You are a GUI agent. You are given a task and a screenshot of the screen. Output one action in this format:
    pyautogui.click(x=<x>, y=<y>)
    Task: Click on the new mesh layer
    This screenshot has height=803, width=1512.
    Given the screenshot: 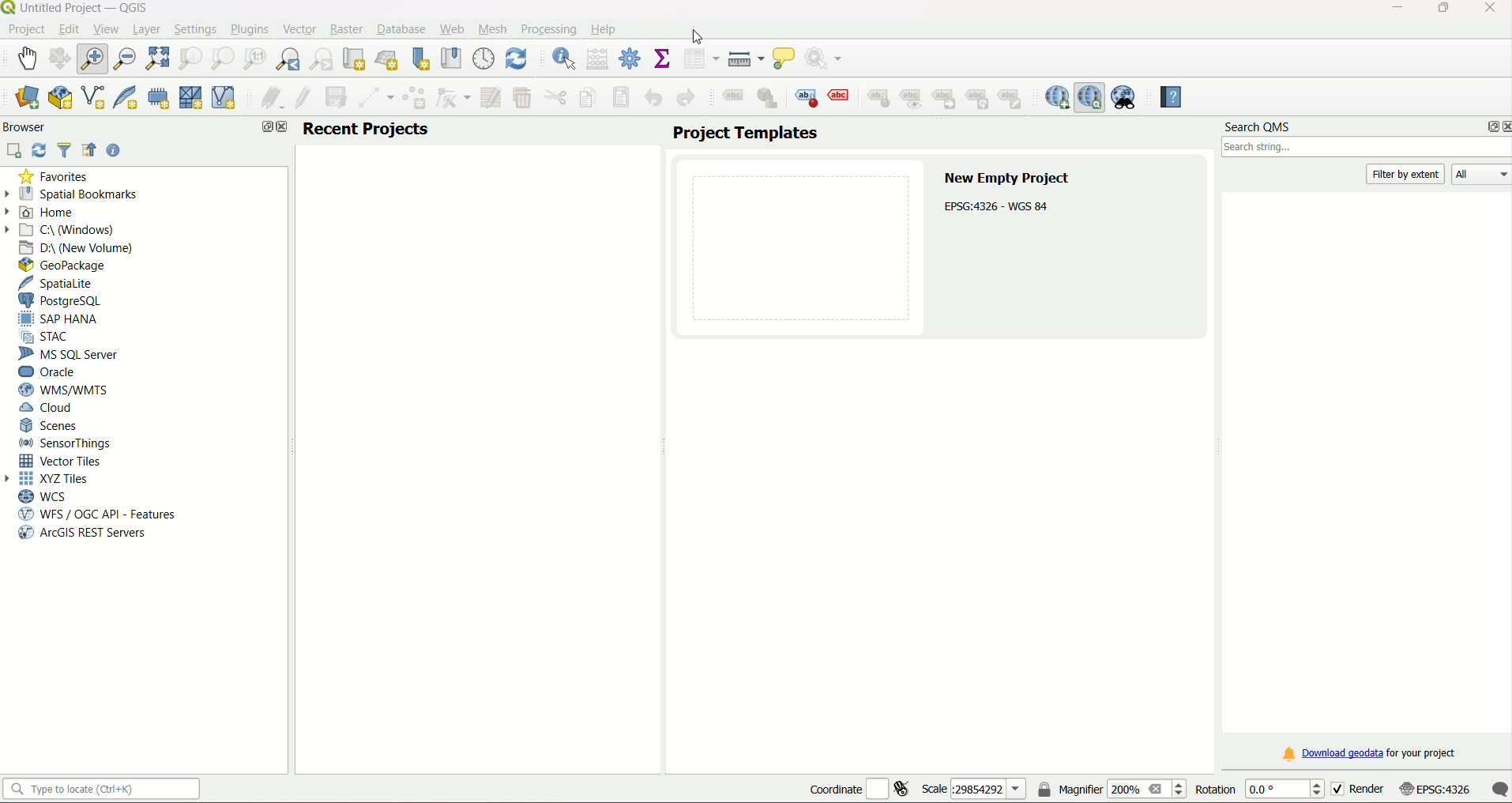 What is the action you would take?
    pyautogui.click(x=191, y=100)
    